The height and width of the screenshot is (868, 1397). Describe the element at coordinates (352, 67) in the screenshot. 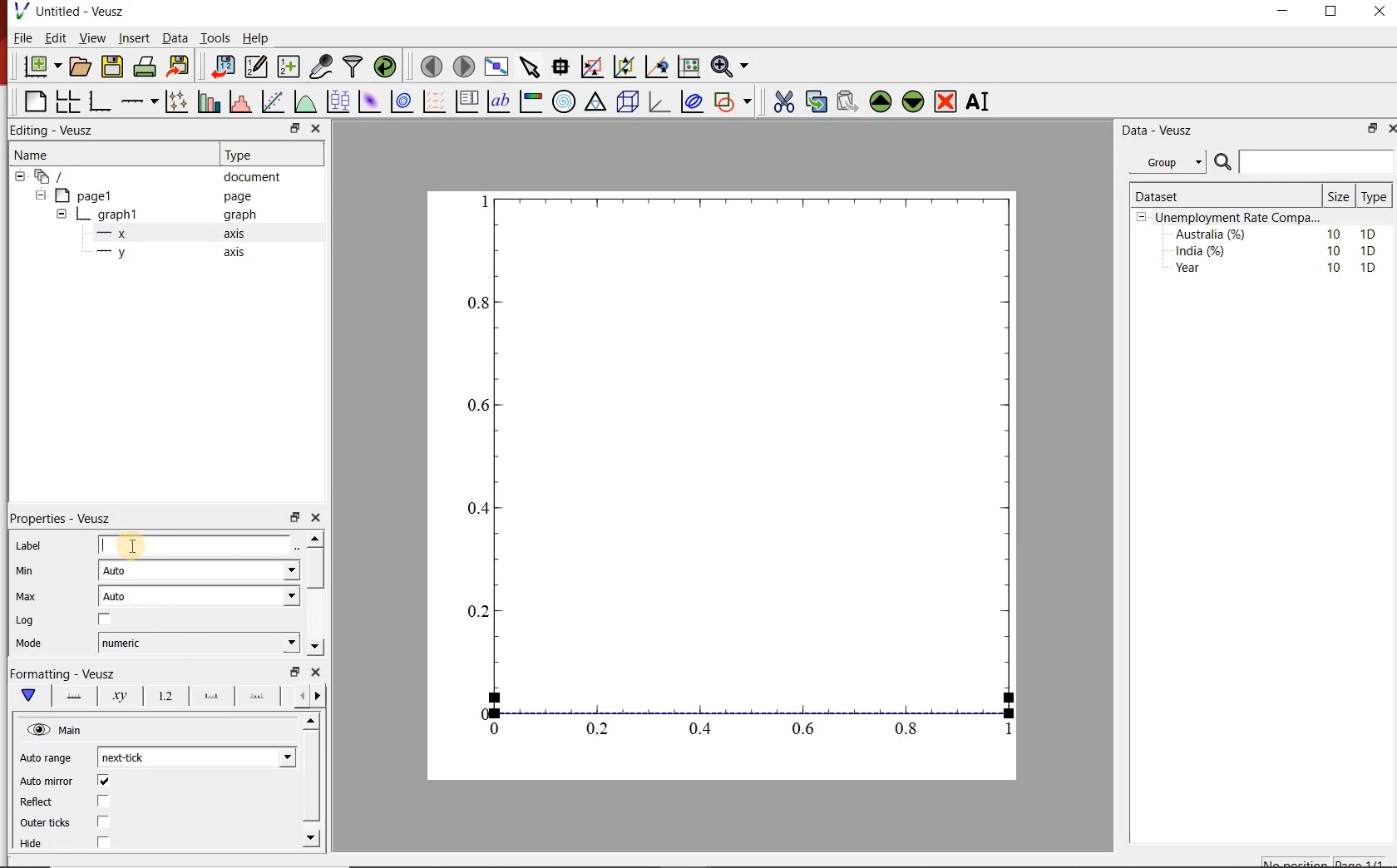

I see `filter data` at that location.